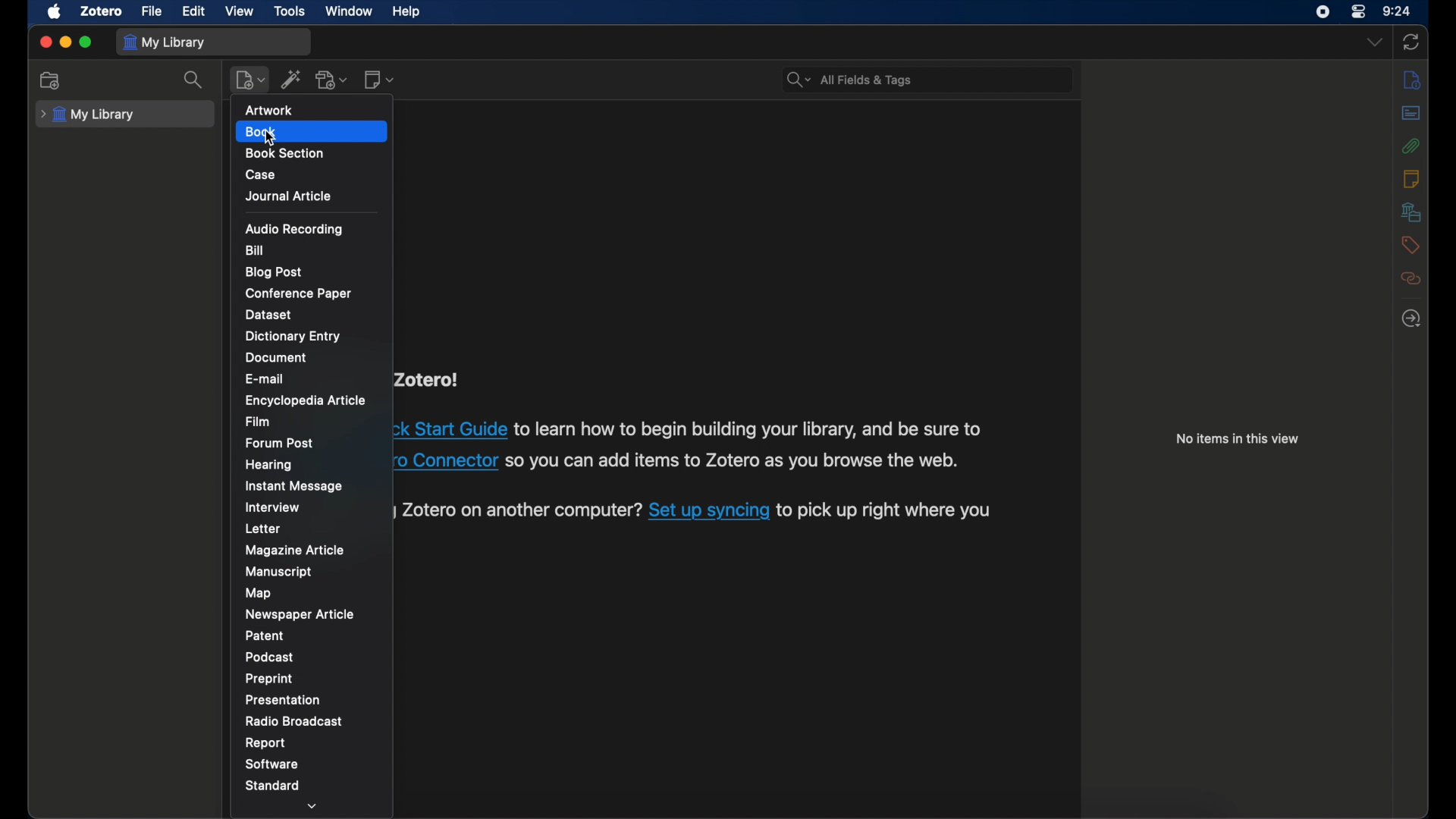  I want to click on control center, so click(1359, 11).